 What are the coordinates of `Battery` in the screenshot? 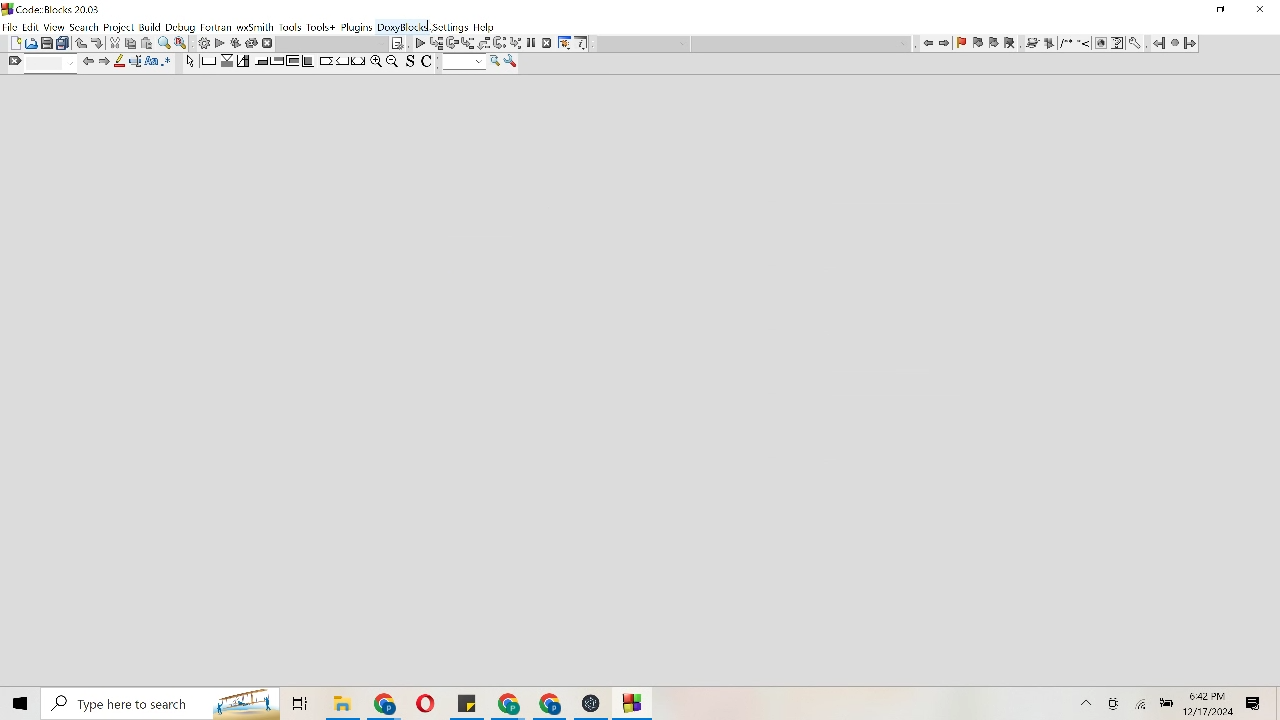 It's located at (1167, 702).